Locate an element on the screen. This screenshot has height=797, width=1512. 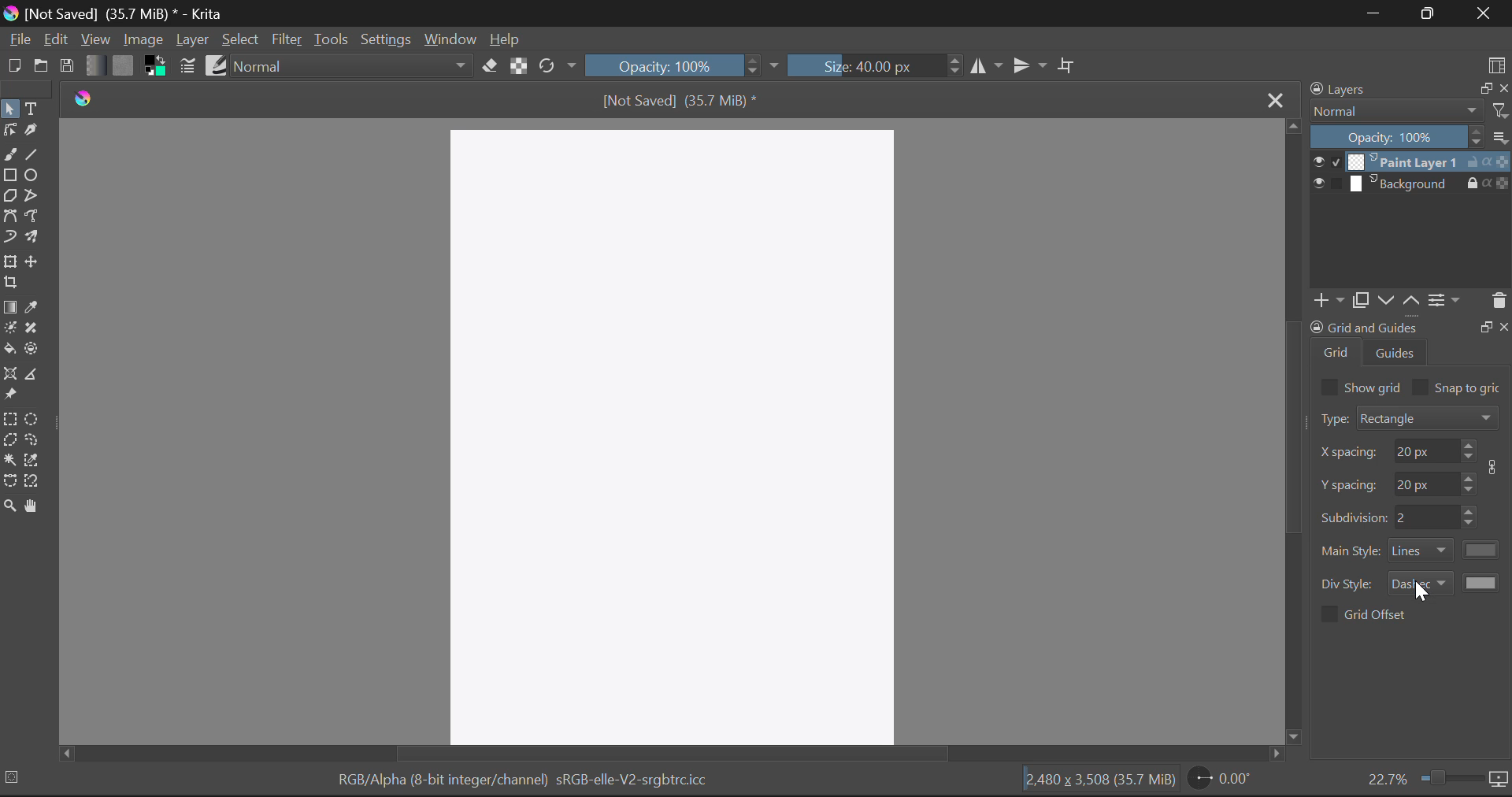
guides is located at coordinates (1396, 352).